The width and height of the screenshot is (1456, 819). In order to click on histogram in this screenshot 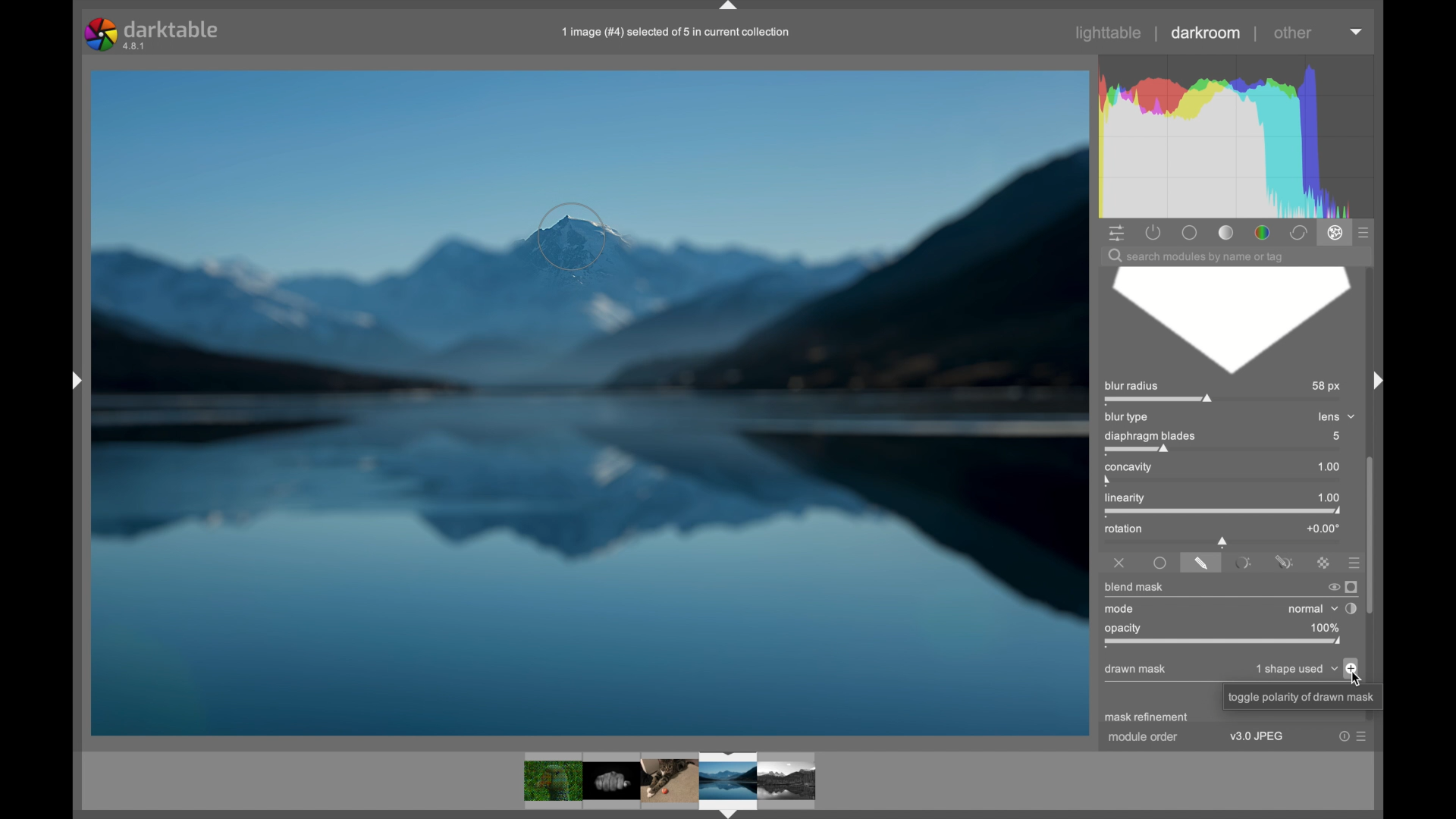, I will do `click(1241, 135)`.